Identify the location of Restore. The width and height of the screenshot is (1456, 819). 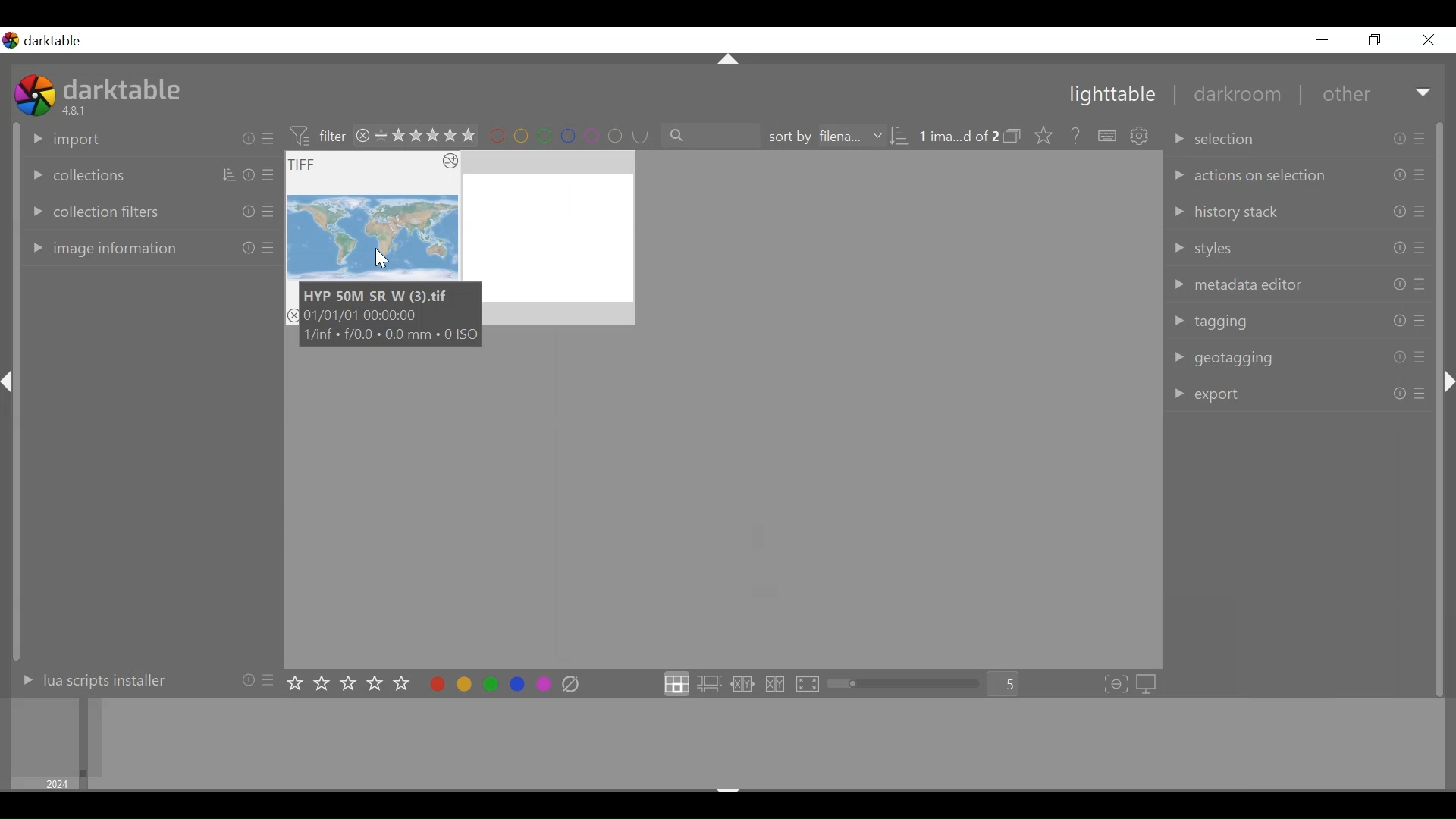
(1379, 39).